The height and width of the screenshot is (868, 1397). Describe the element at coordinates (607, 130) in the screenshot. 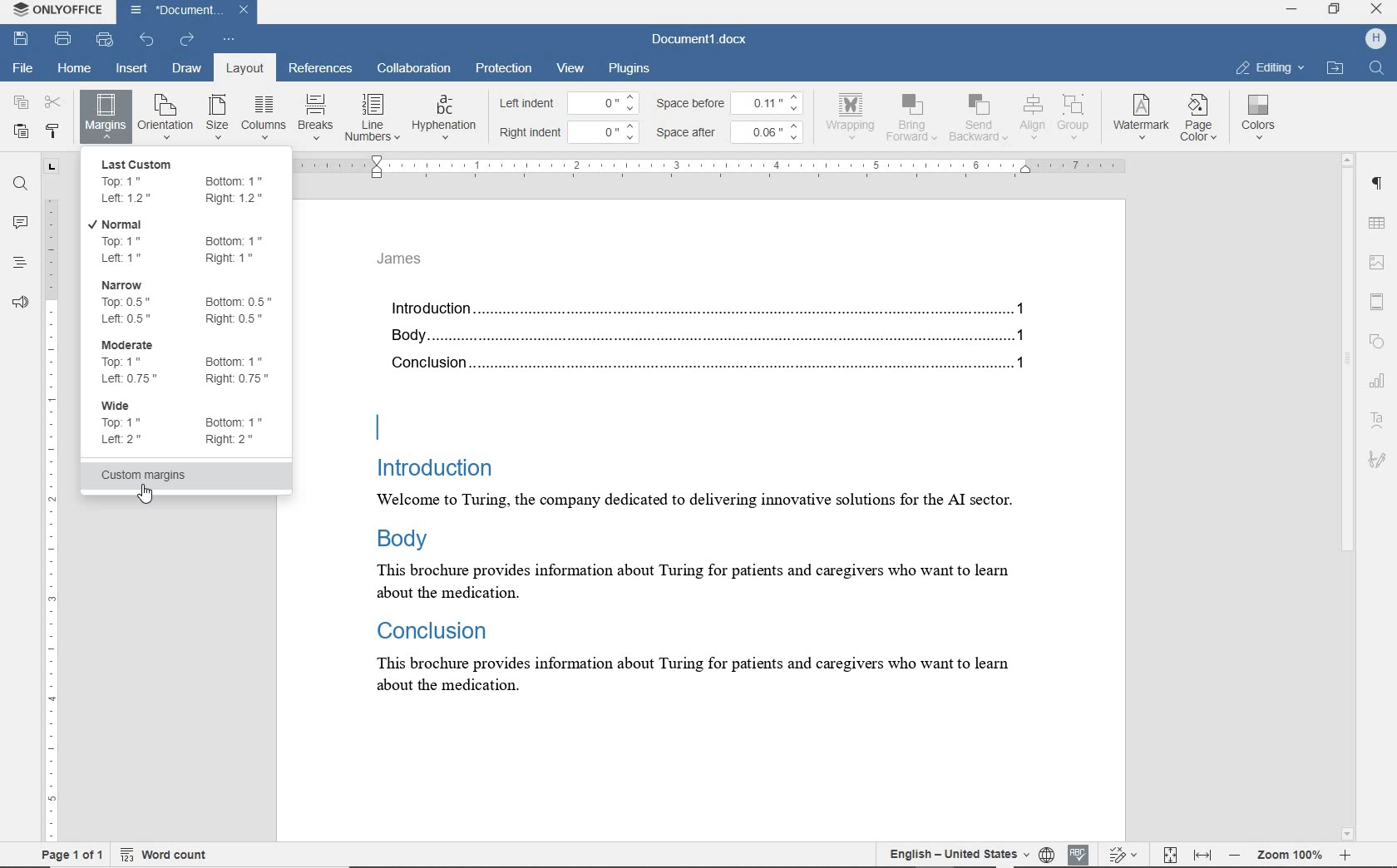

I see `0` at that location.